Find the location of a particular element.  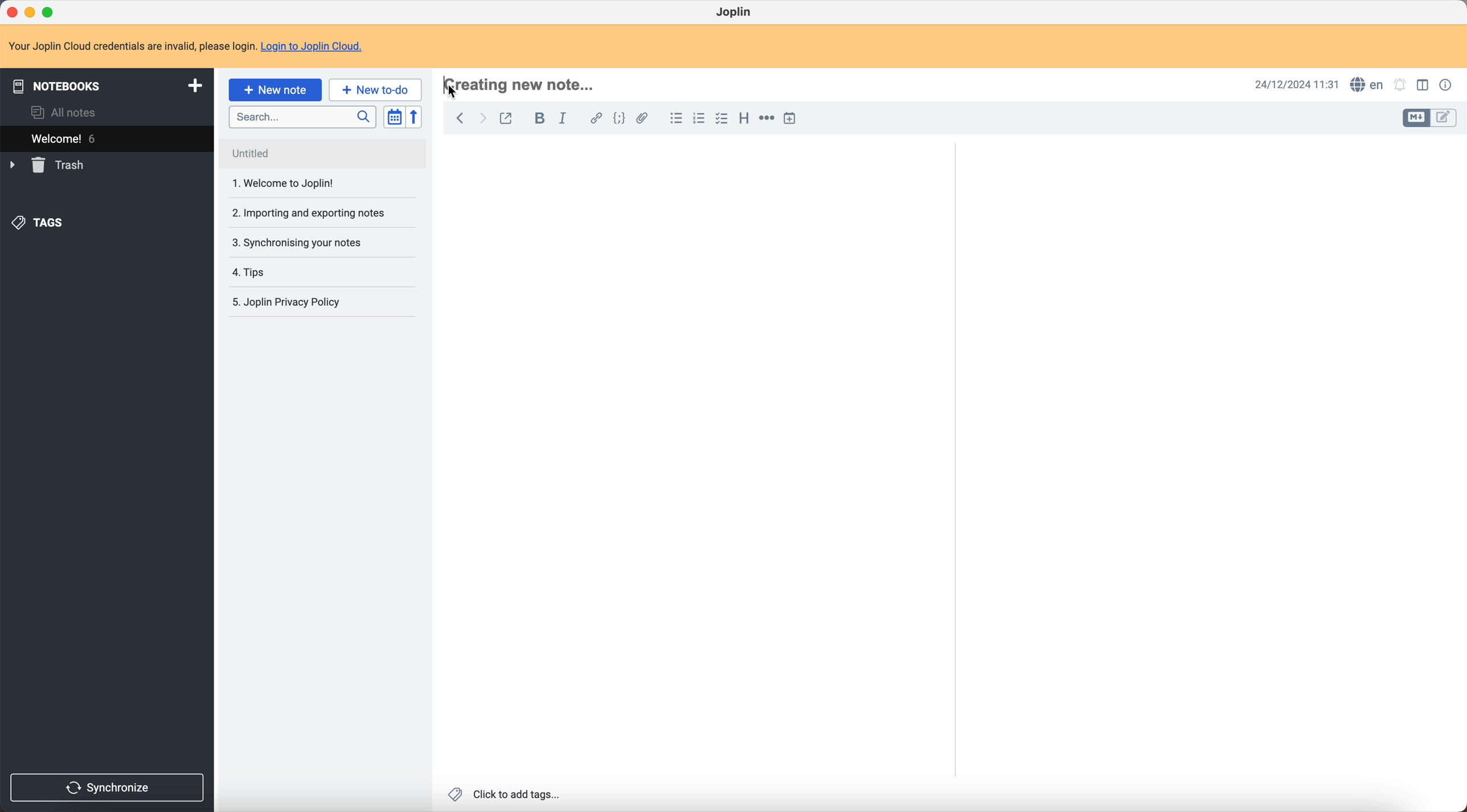

body text is located at coordinates (1205, 475).